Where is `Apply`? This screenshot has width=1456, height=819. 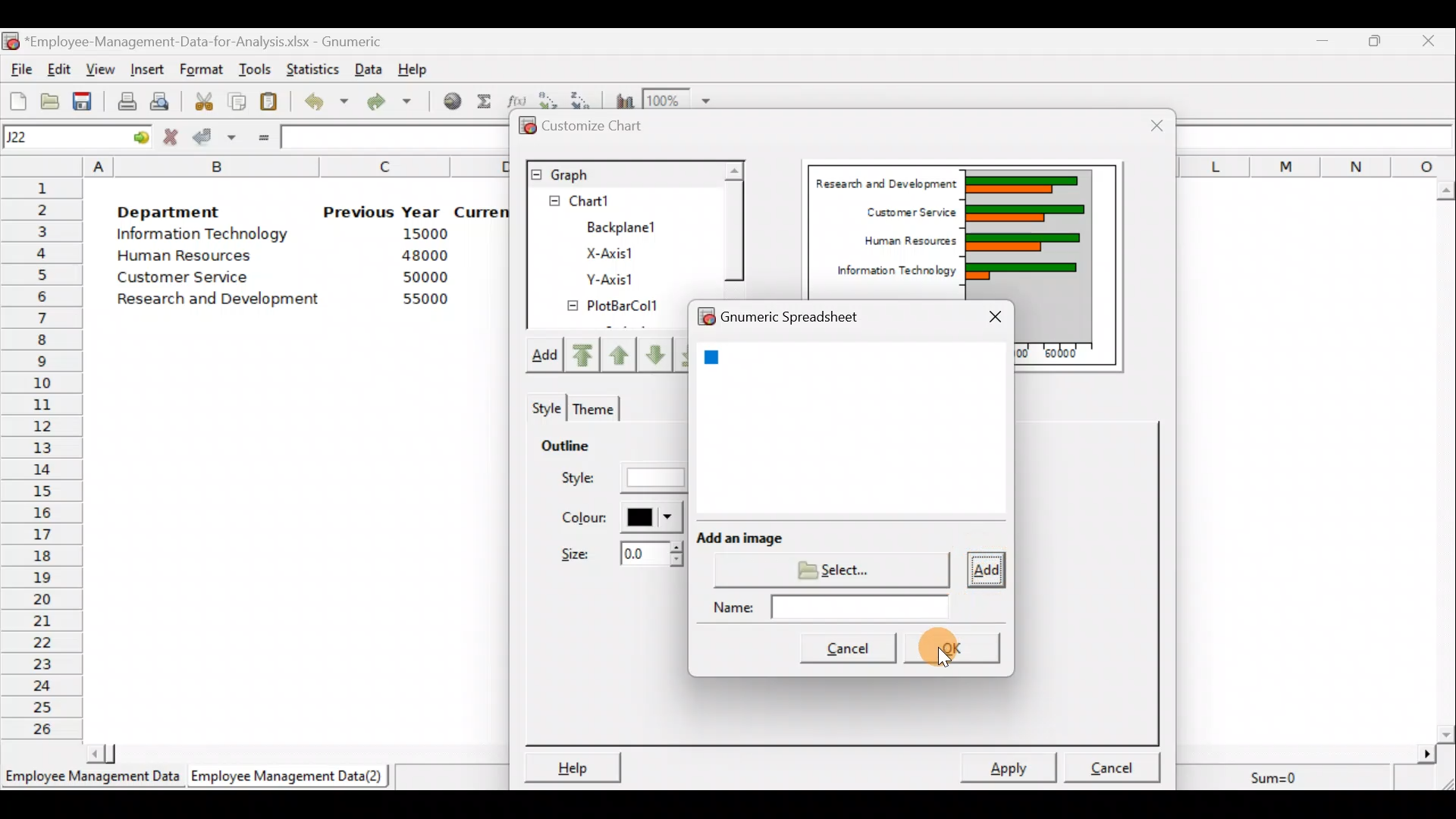
Apply is located at coordinates (1012, 767).